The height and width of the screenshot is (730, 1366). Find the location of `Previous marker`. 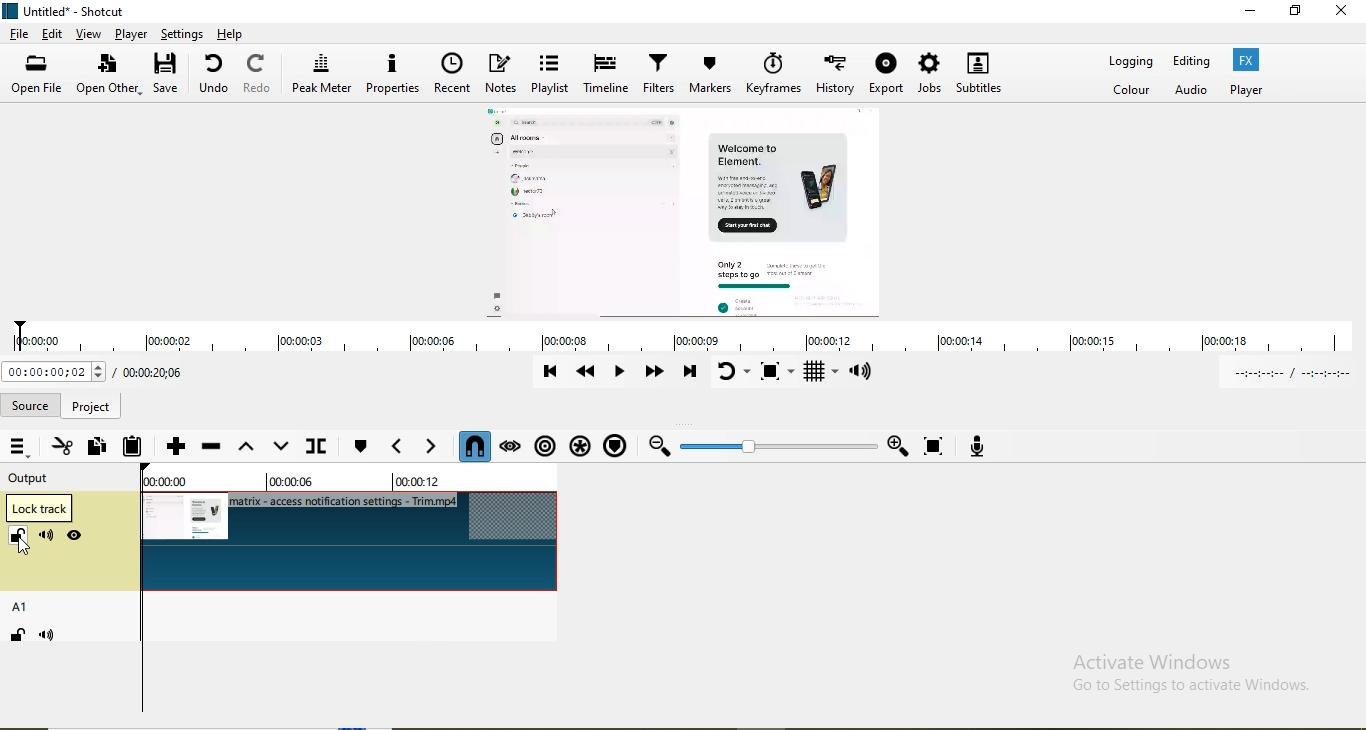

Previous marker is located at coordinates (394, 448).